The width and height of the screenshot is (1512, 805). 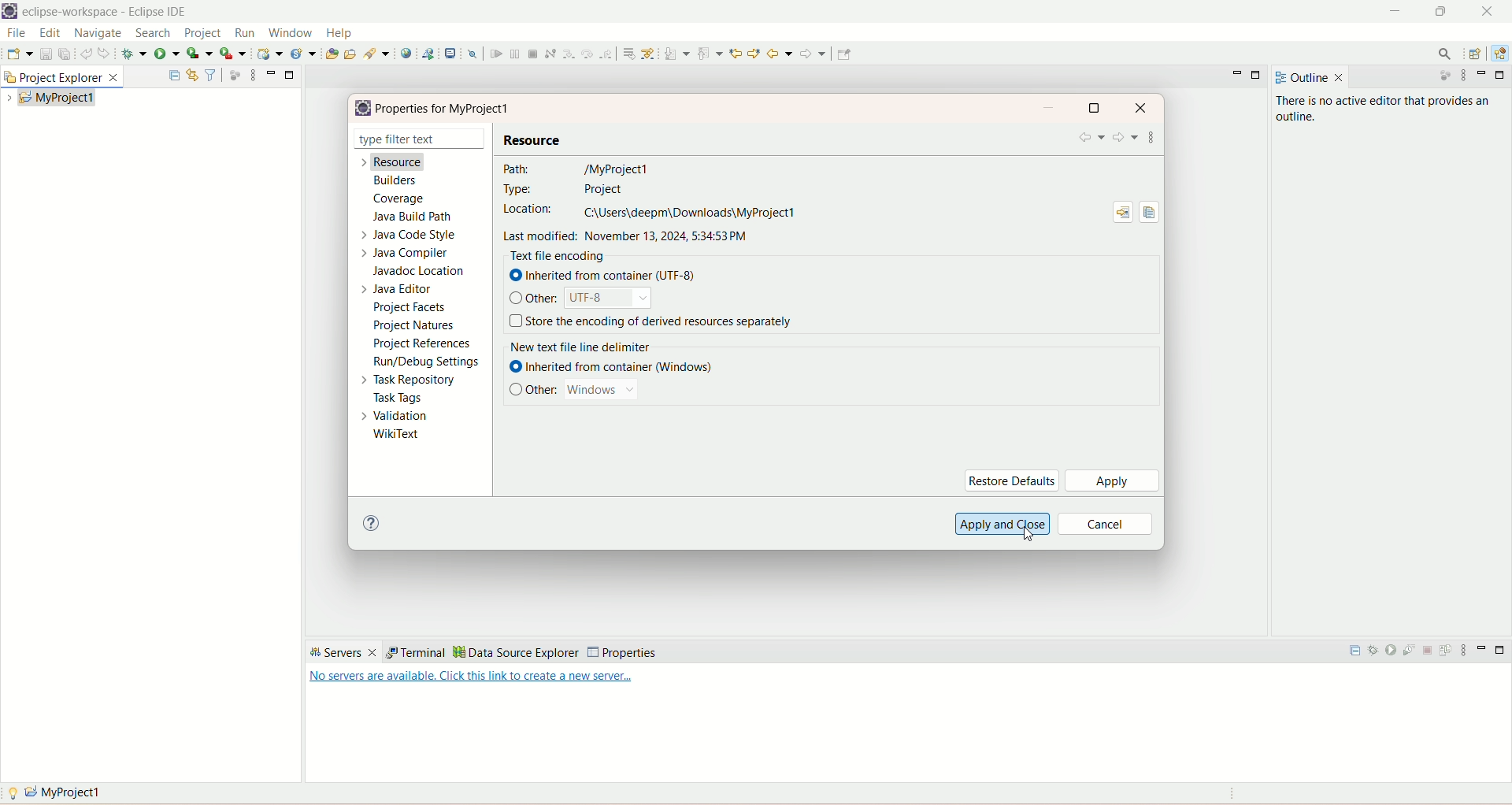 What do you see at coordinates (543, 299) in the screenshot?
I see `other` at bounding box center [543, 299].